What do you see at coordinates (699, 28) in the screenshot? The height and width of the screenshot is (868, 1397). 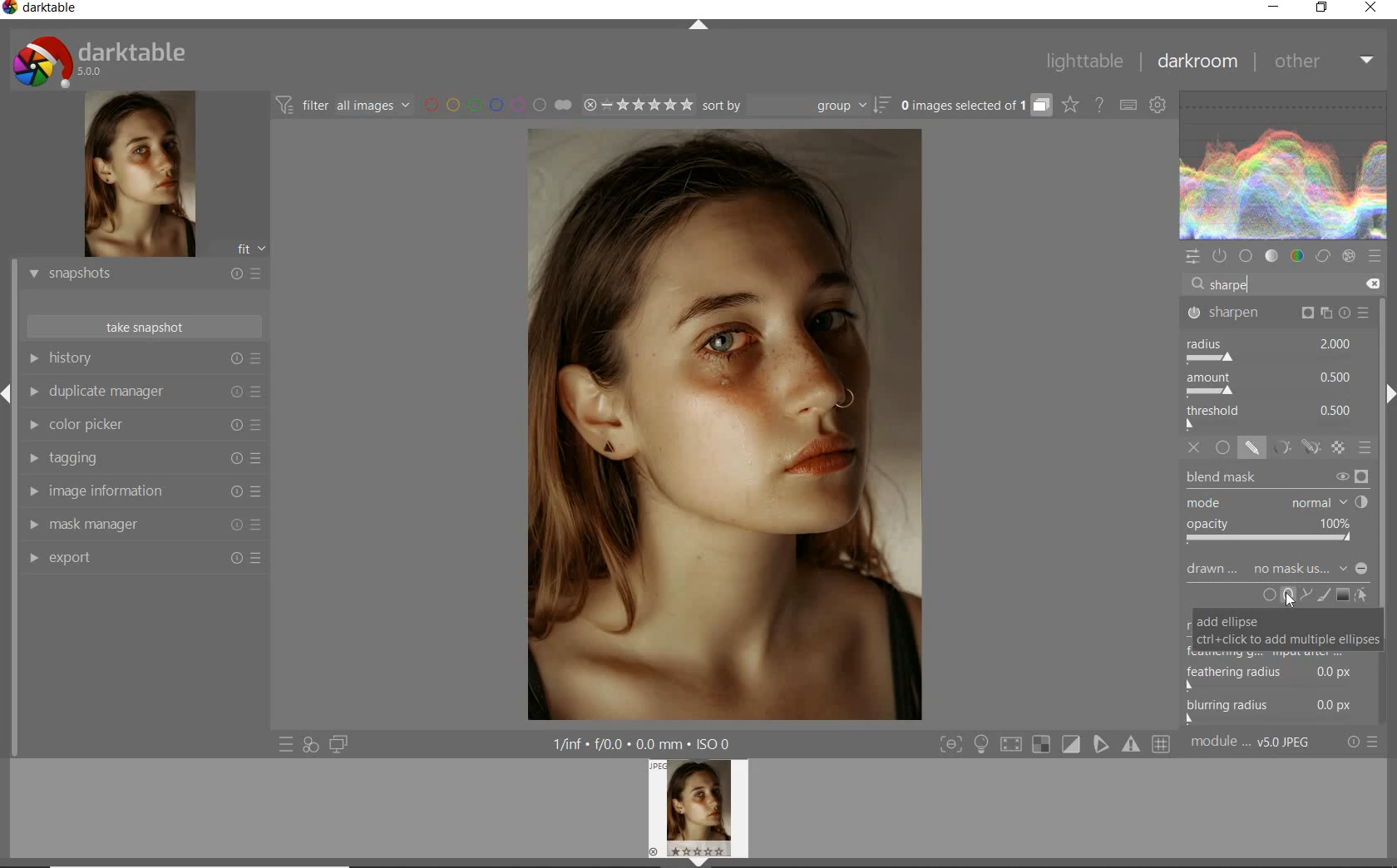 I see `expand/collapse` at bounding box center [699, 28].